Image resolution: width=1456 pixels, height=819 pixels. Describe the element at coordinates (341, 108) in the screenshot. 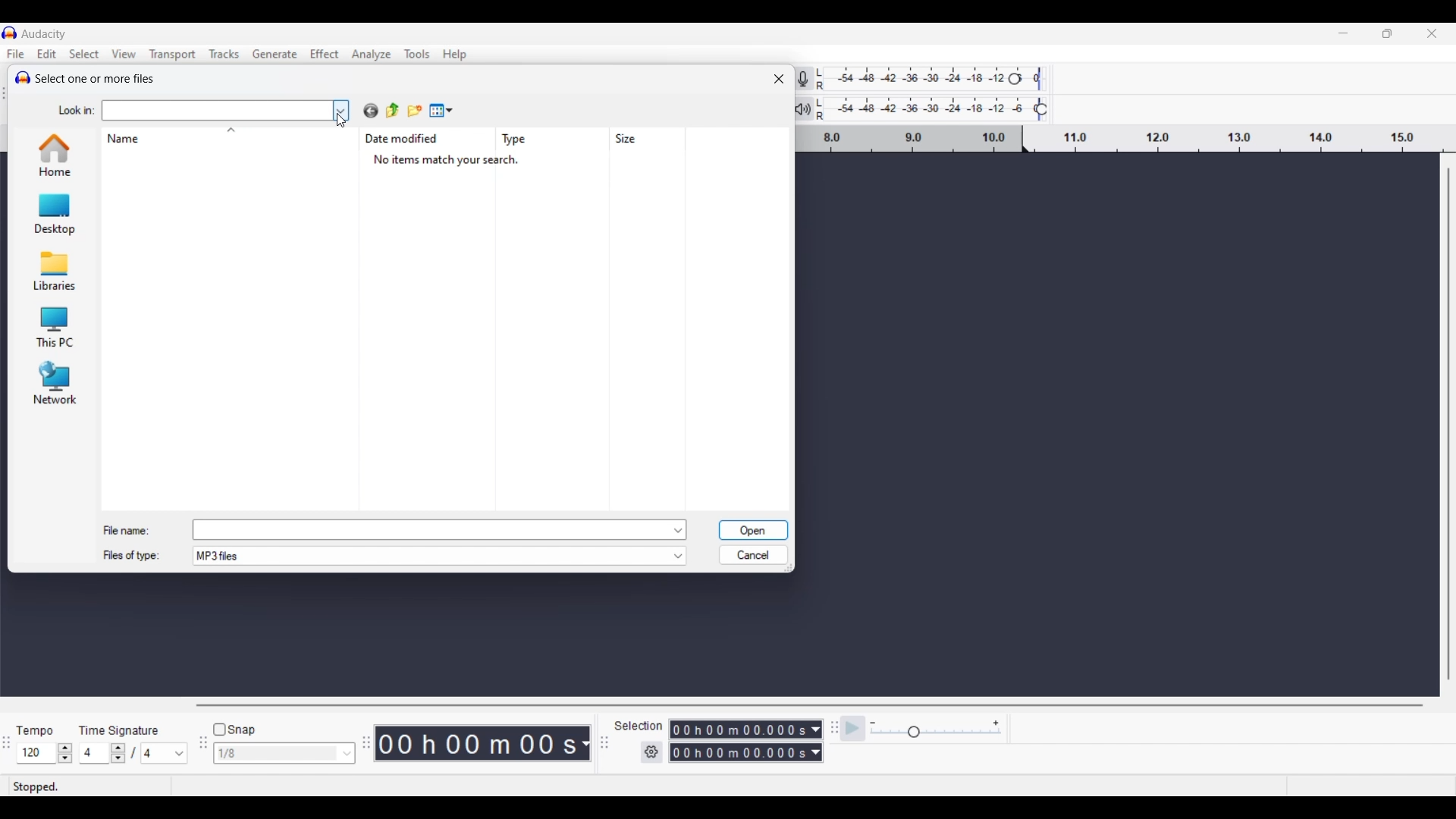

I see `List folder options` at that location.